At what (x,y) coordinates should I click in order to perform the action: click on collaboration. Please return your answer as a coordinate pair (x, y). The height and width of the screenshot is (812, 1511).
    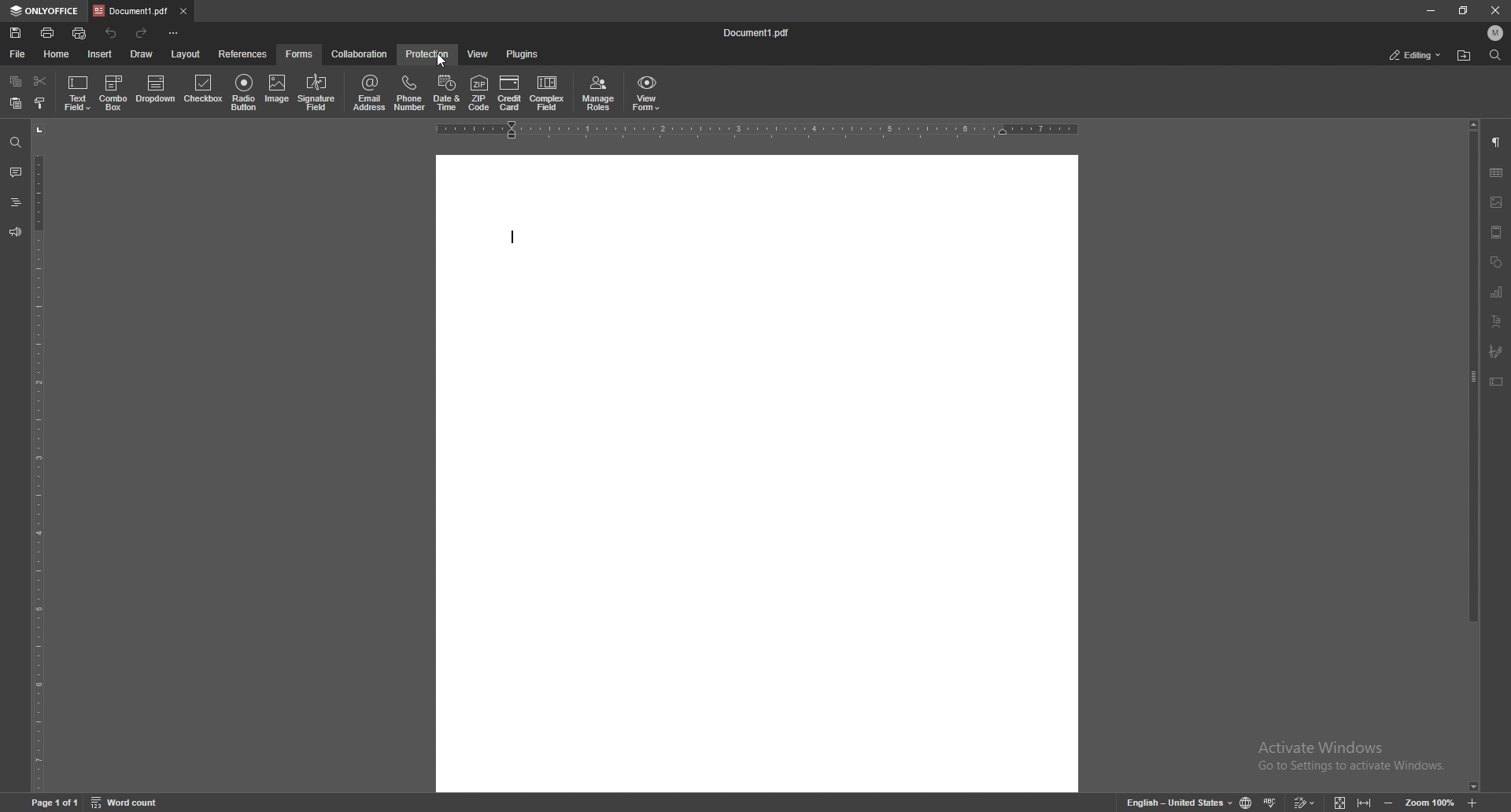
    Looking at the image, I should click on (360, 54).